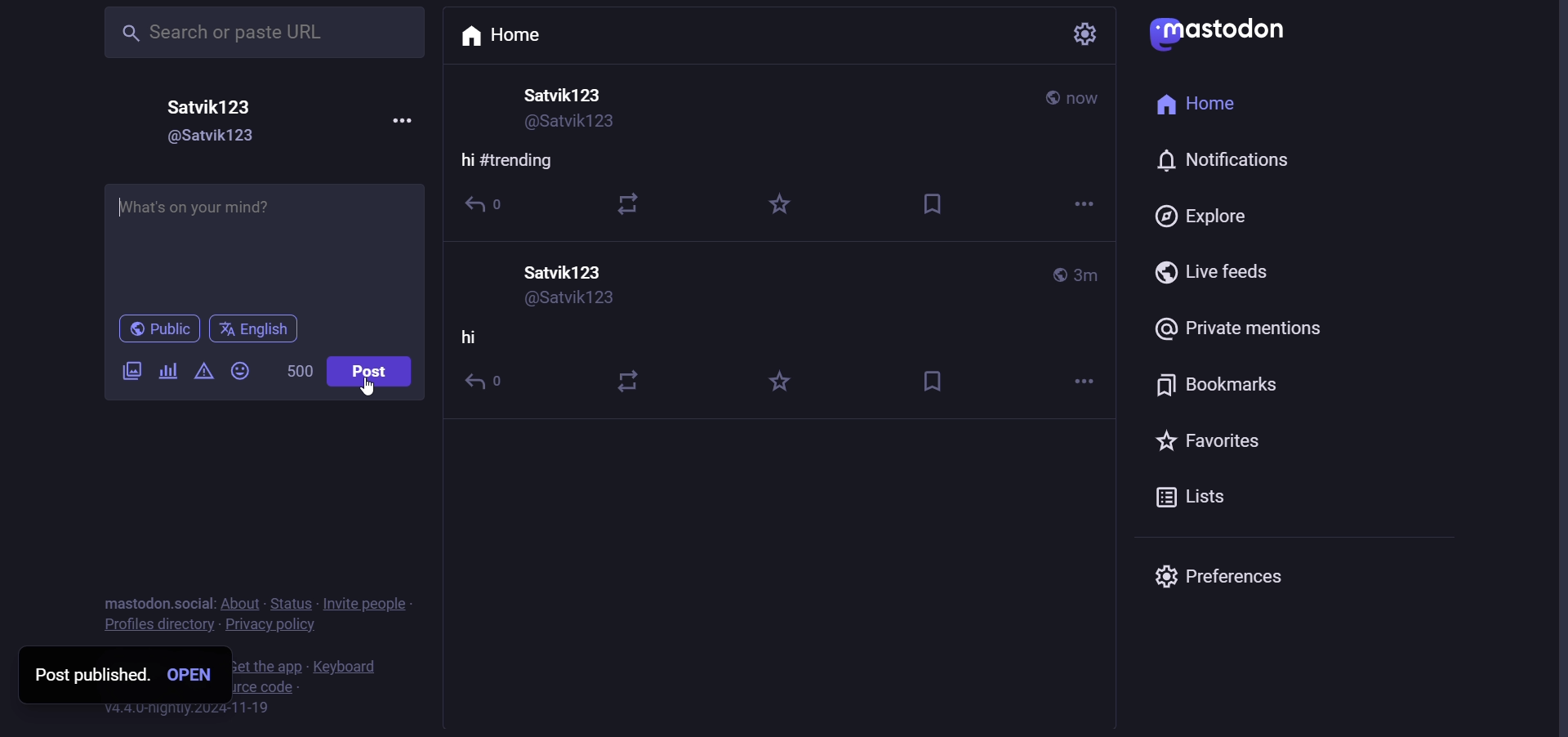 This screenshot has width=1568, height=737. I want to click on user id, so click(207, 140).